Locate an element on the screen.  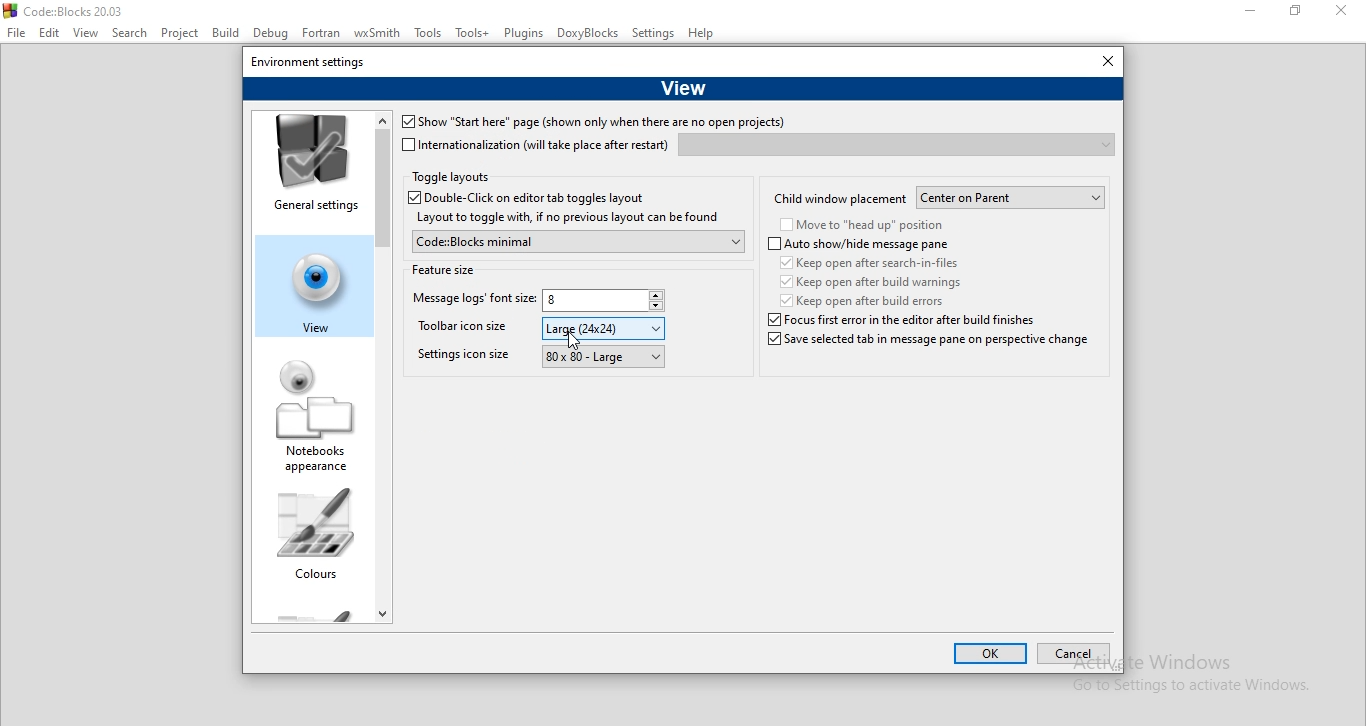
View is located at coordinates (86, 34).